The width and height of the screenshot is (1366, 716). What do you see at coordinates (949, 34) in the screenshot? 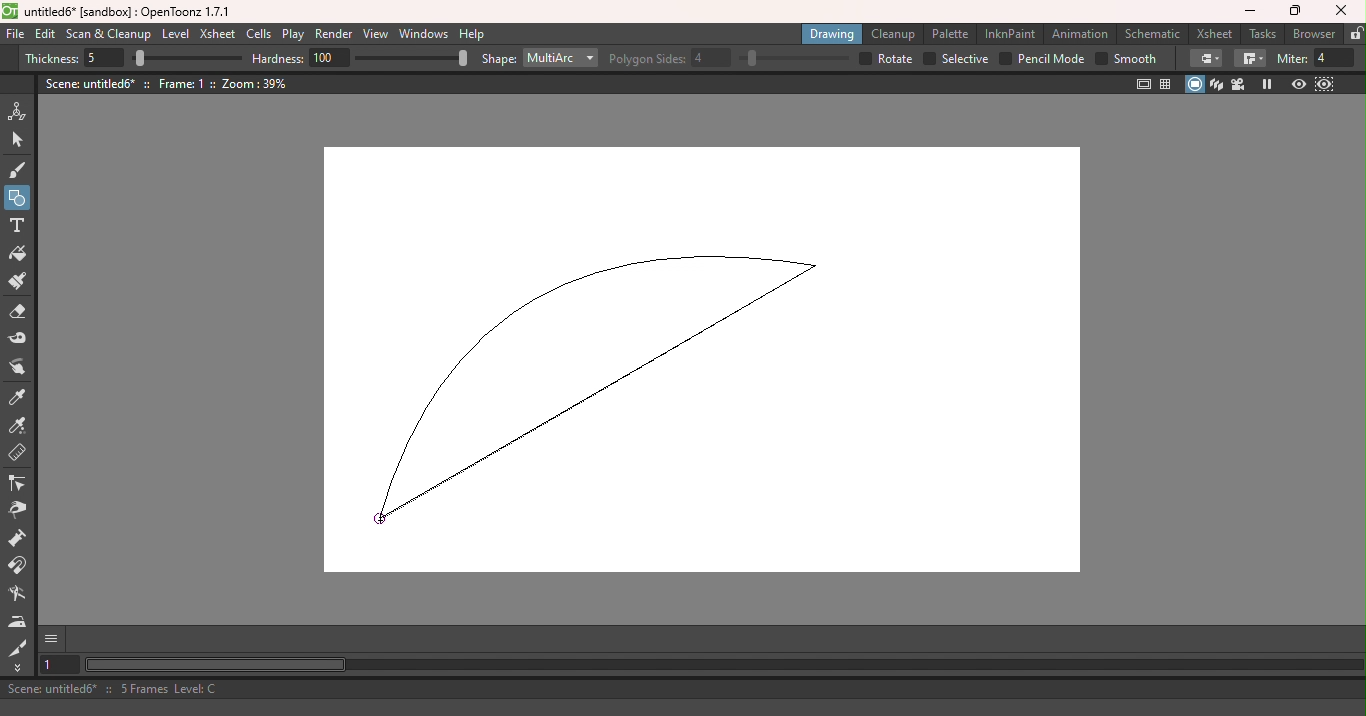
I see `Palette` at bounding box center [949, 34].